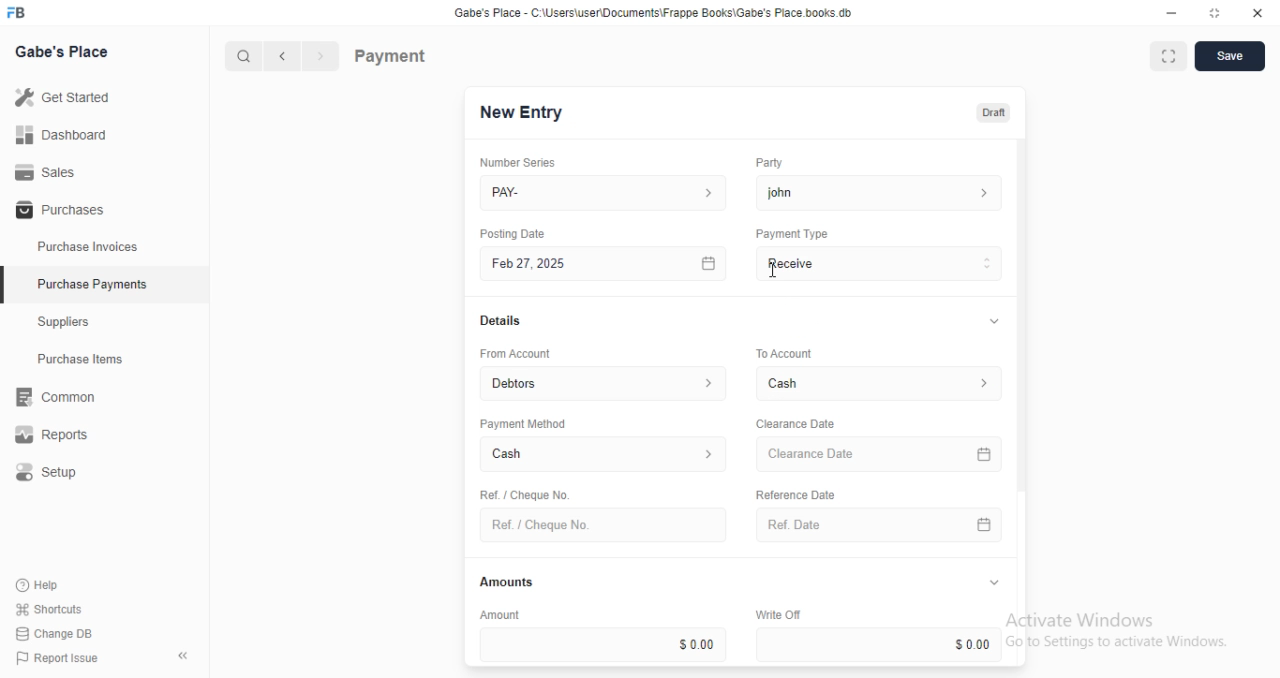 Image resolution: width=1280 pixels, height=678 pixels. What do you see at coordinates (498, 321) in the screenshot?
I see `Details` at bounding box center [498, 321].